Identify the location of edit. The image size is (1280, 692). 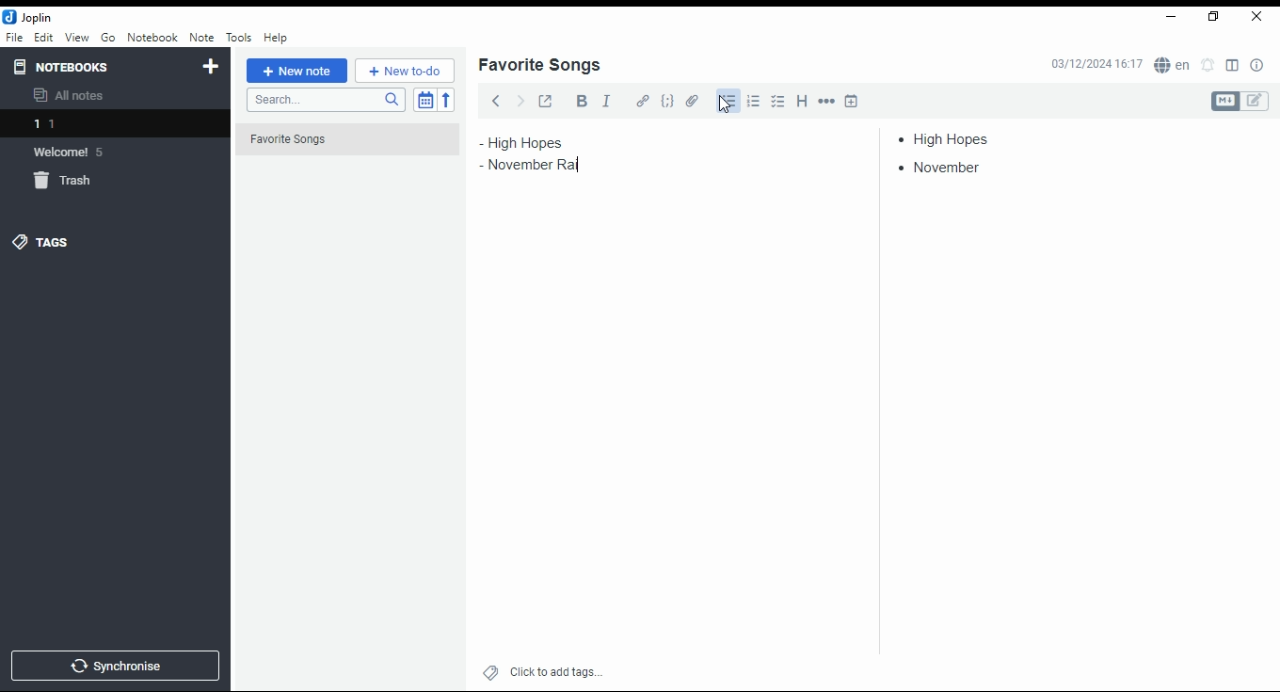
(43, 36).